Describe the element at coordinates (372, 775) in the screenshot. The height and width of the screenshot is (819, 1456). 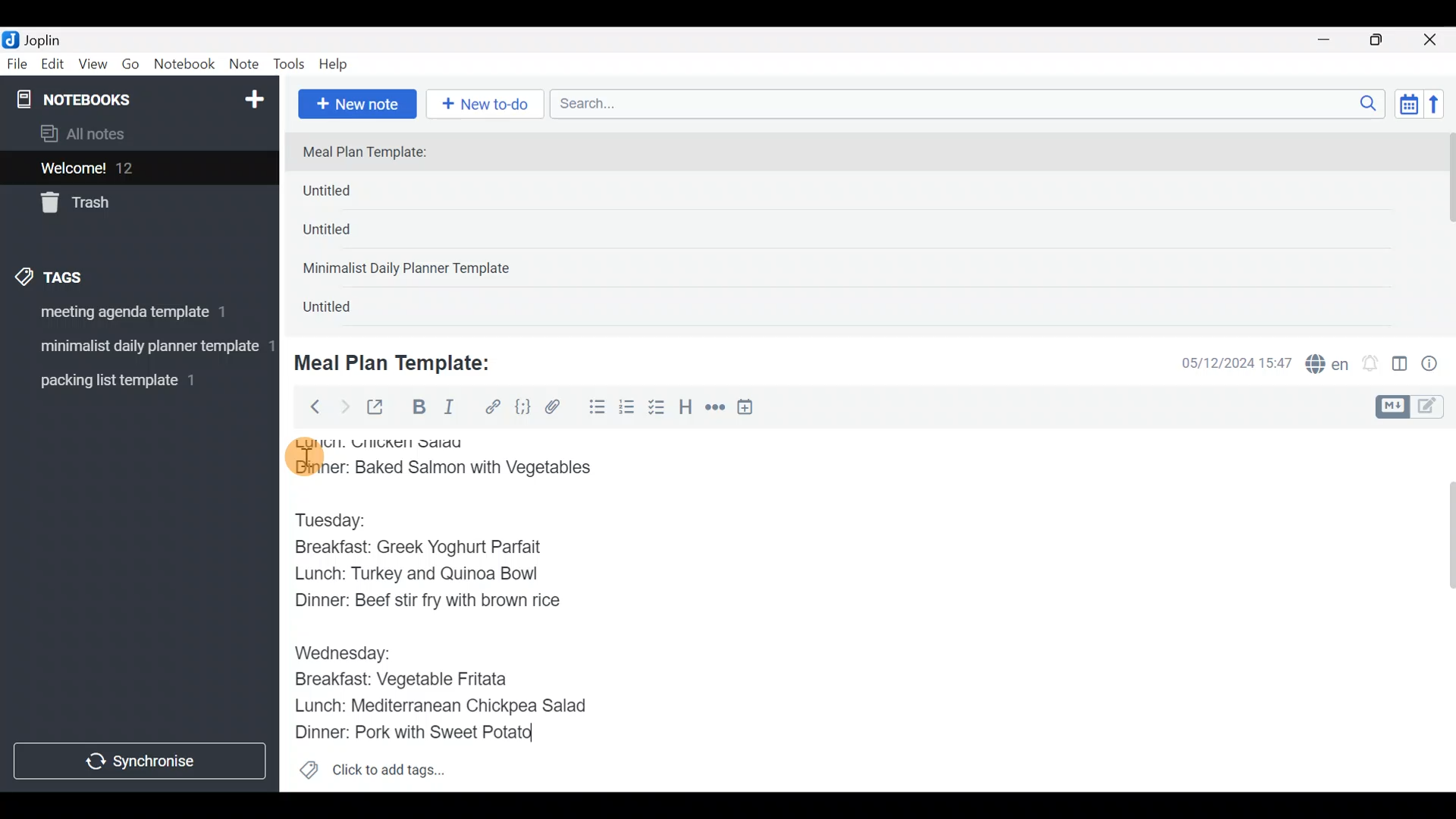
I see `Click to add tags` at that location.